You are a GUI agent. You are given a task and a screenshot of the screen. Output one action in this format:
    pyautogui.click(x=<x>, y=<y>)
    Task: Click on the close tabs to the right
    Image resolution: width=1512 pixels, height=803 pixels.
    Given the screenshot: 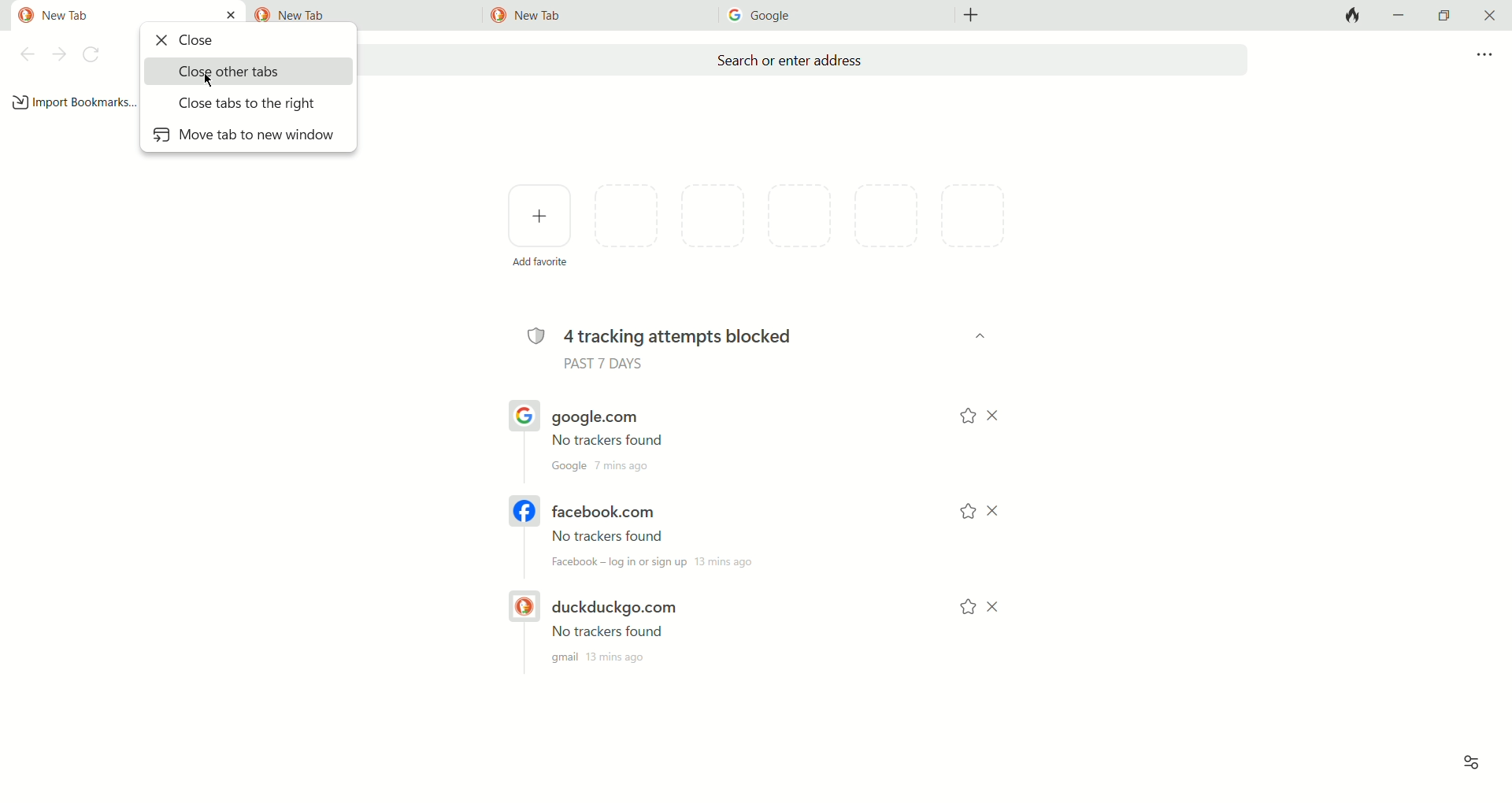 What is the action you would take?
    pyautogui.click(x=246, y=103)
    